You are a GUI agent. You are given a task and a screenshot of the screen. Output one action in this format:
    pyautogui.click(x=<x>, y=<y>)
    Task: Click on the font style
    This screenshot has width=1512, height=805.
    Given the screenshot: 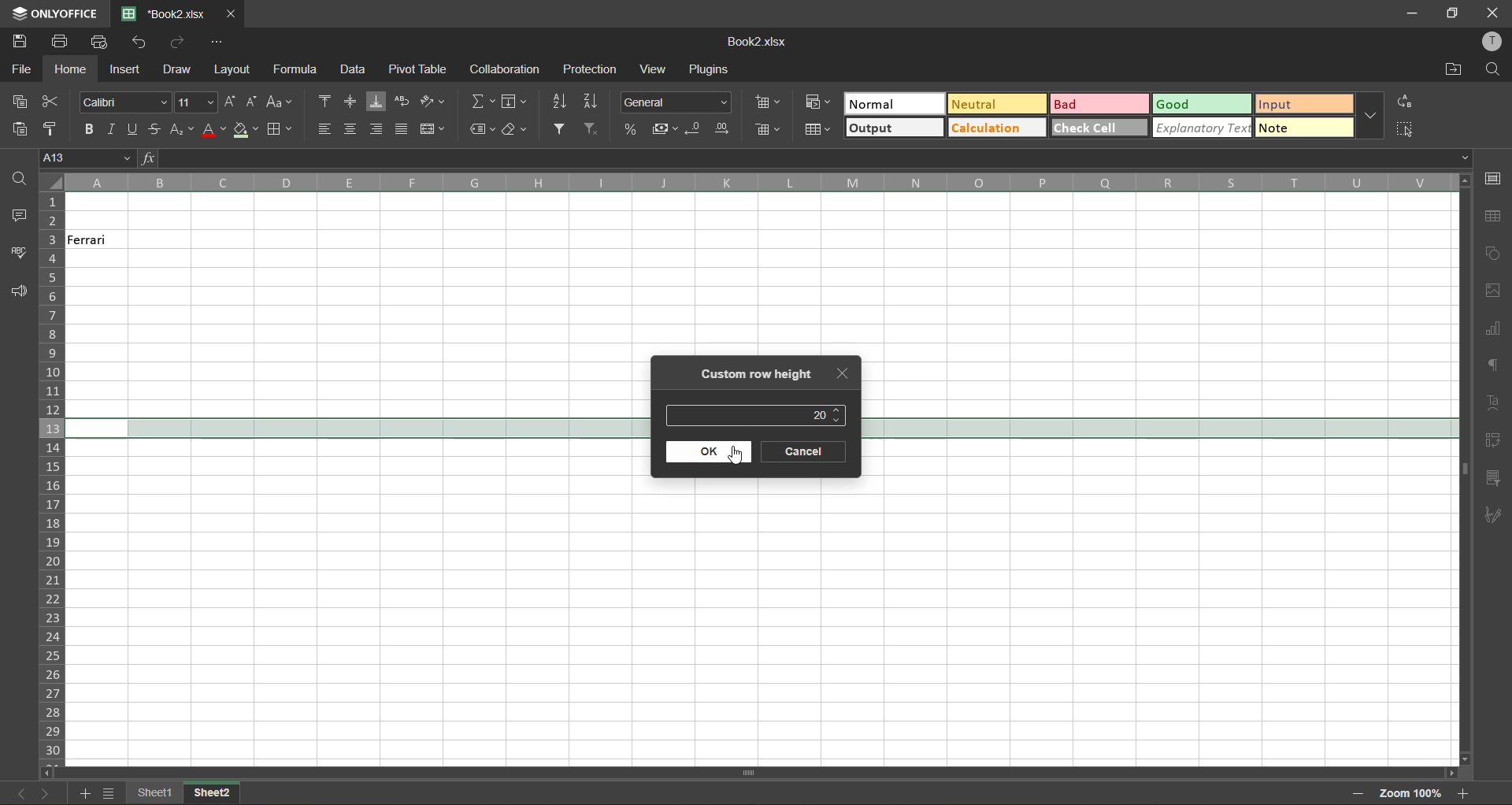 What is the action you would take?
    pyautogui.click(x=122, y=103)
    